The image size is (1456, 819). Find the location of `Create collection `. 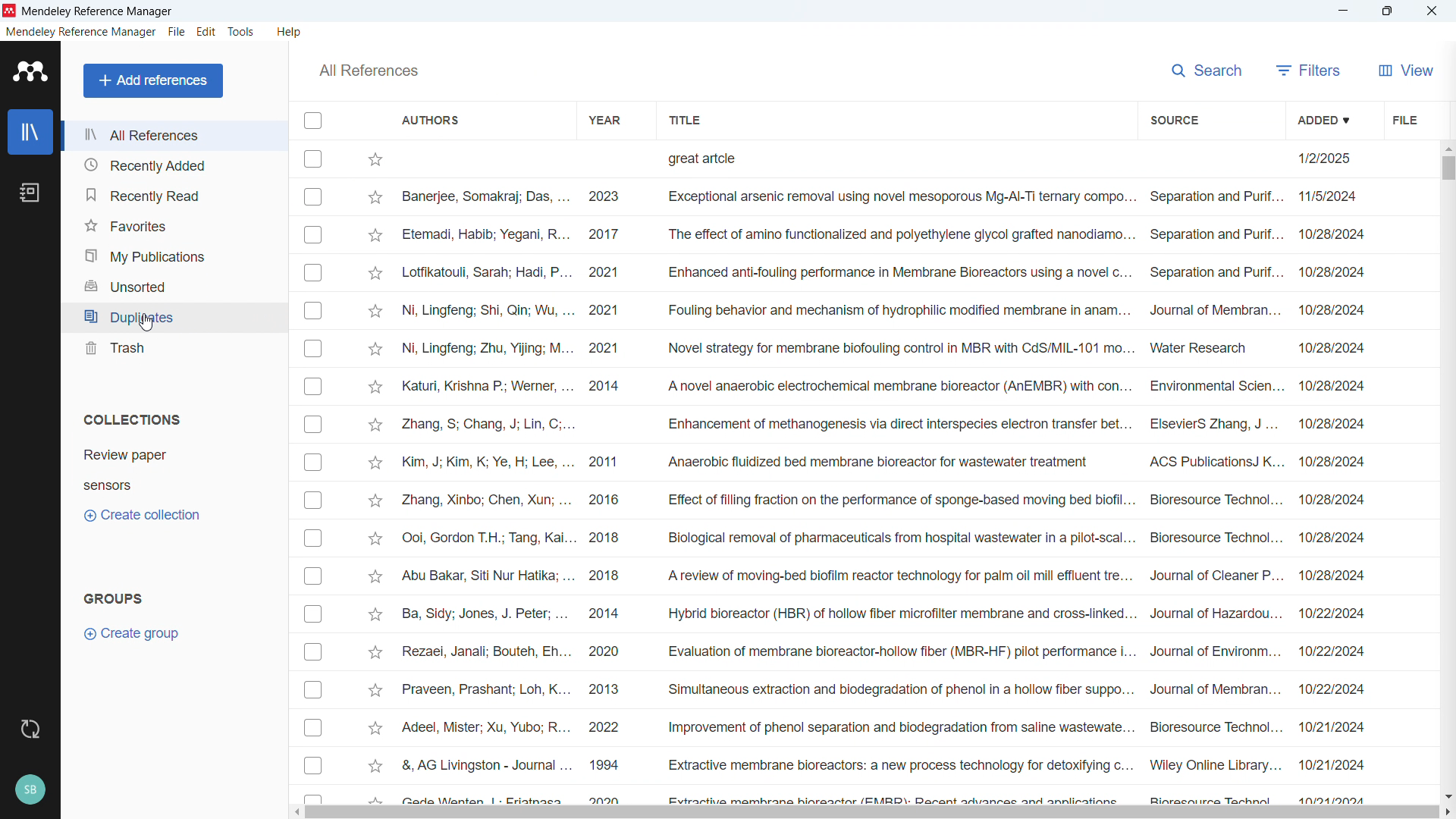

Create collection  is located at coordinates (143, 516).